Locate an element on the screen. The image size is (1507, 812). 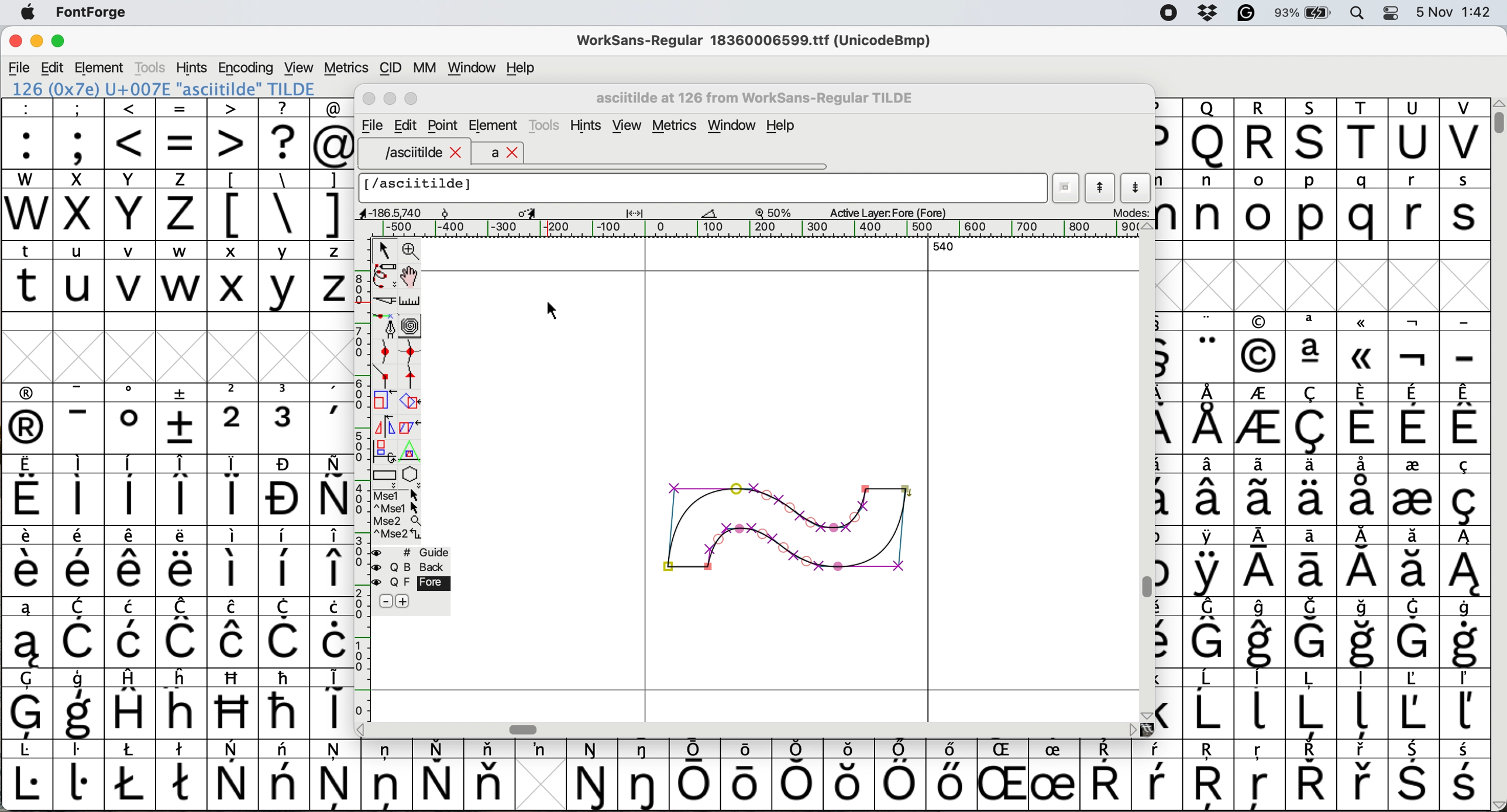
symbol is located at coordinates (900, 775).